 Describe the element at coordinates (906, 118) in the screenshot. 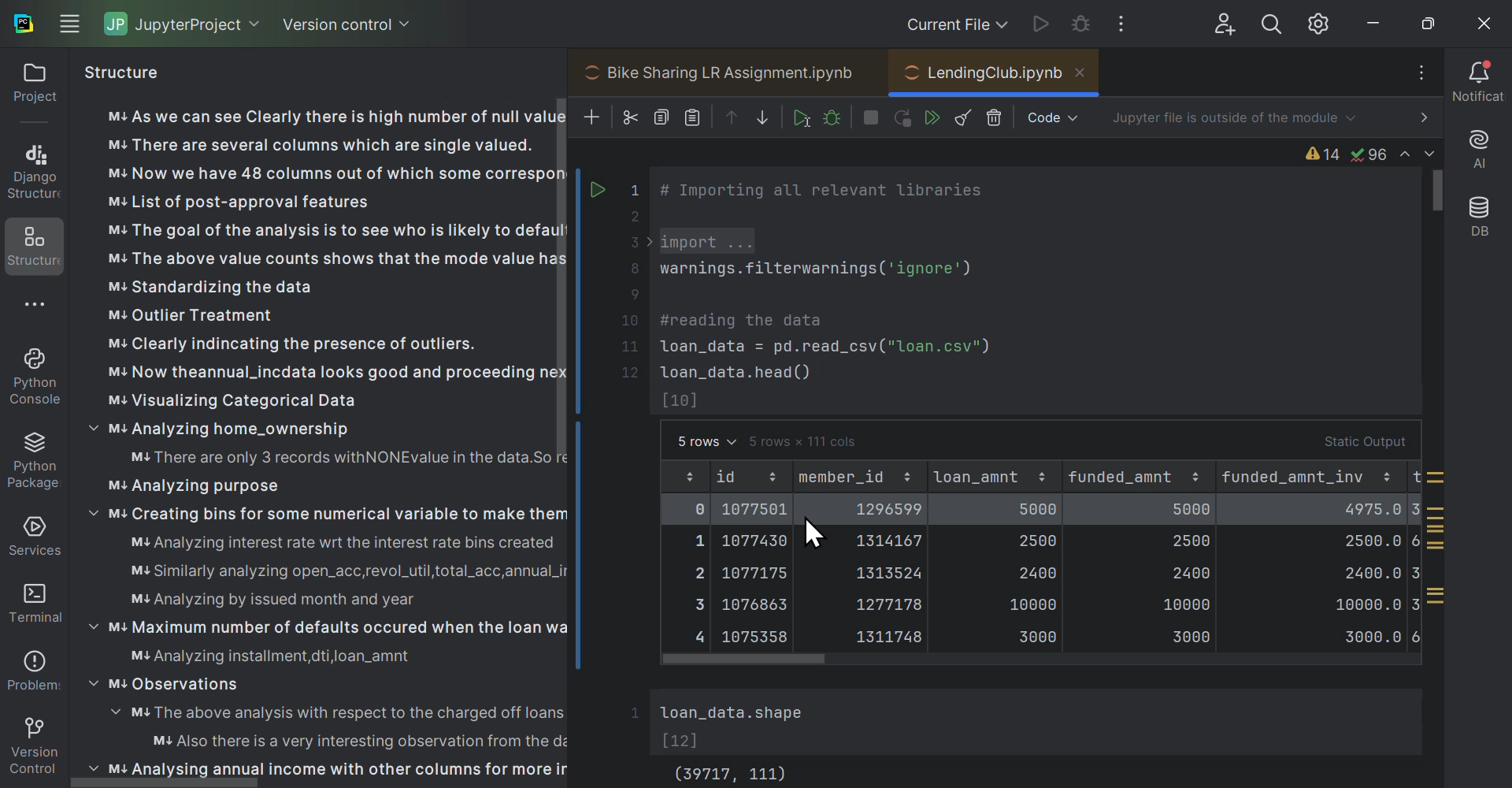

I see `restart Kernel` at that location.